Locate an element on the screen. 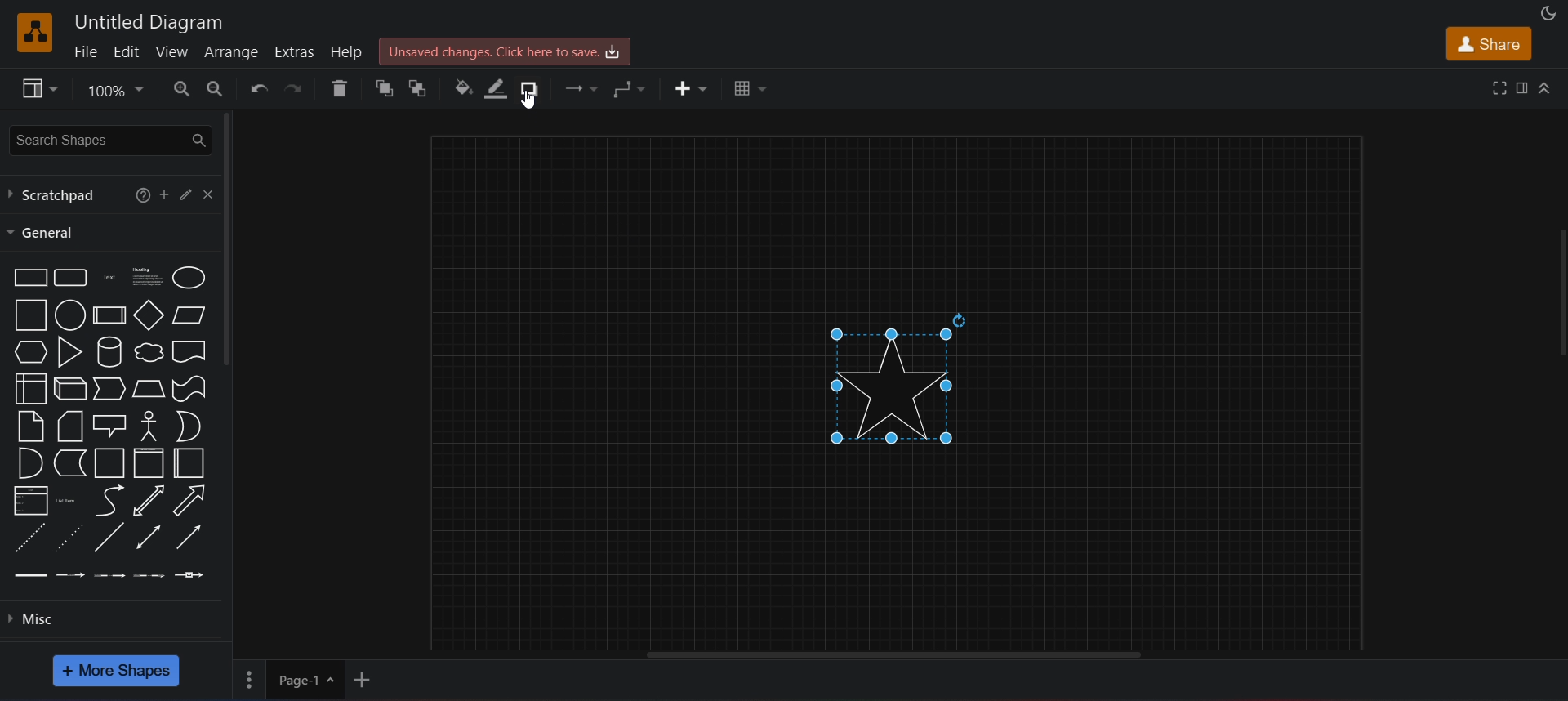  steps is located at coordinates (109, 390).